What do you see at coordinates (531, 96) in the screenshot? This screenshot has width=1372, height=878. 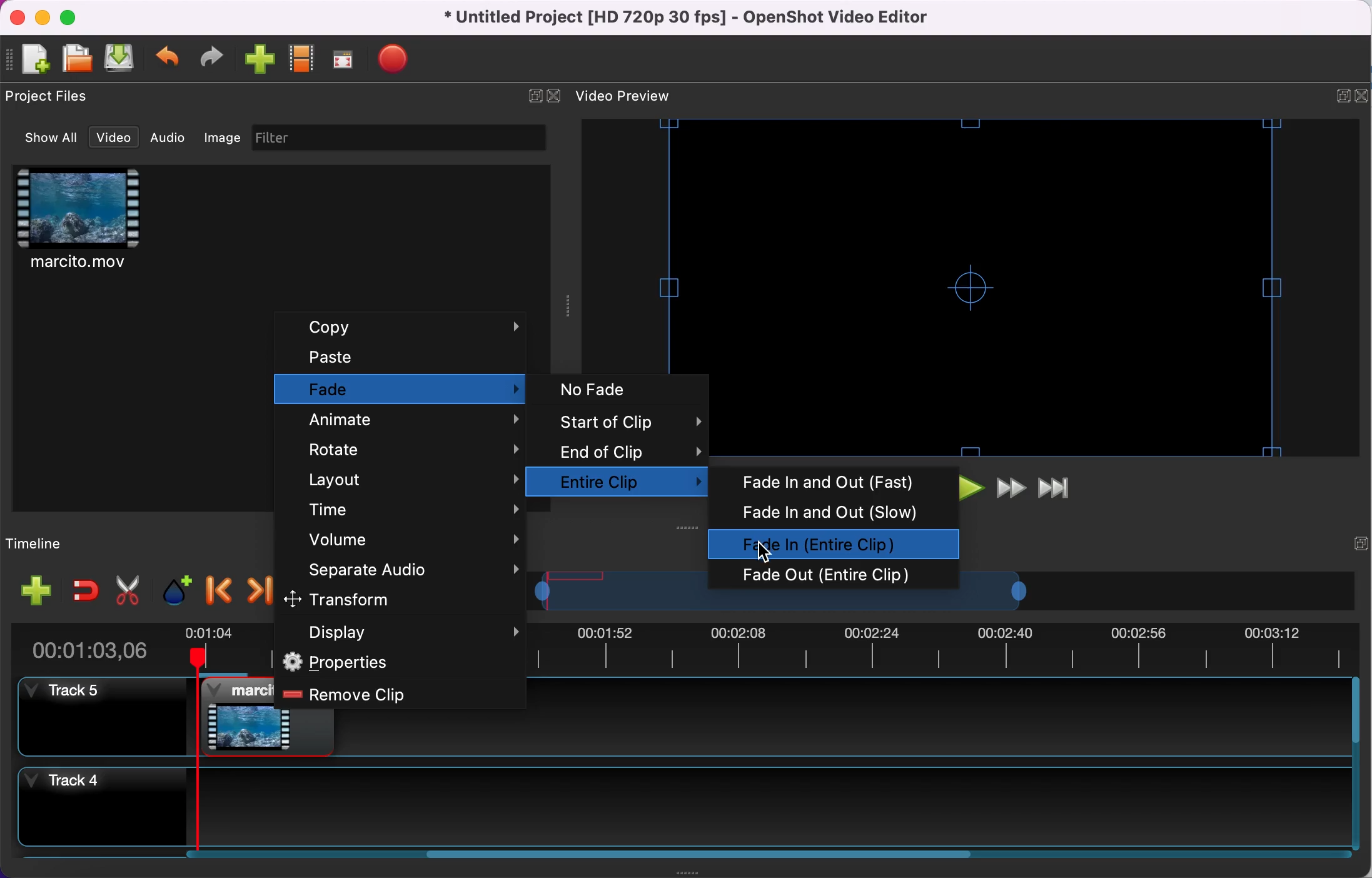 I see `expand/hide` at bounding box center [531, 96].